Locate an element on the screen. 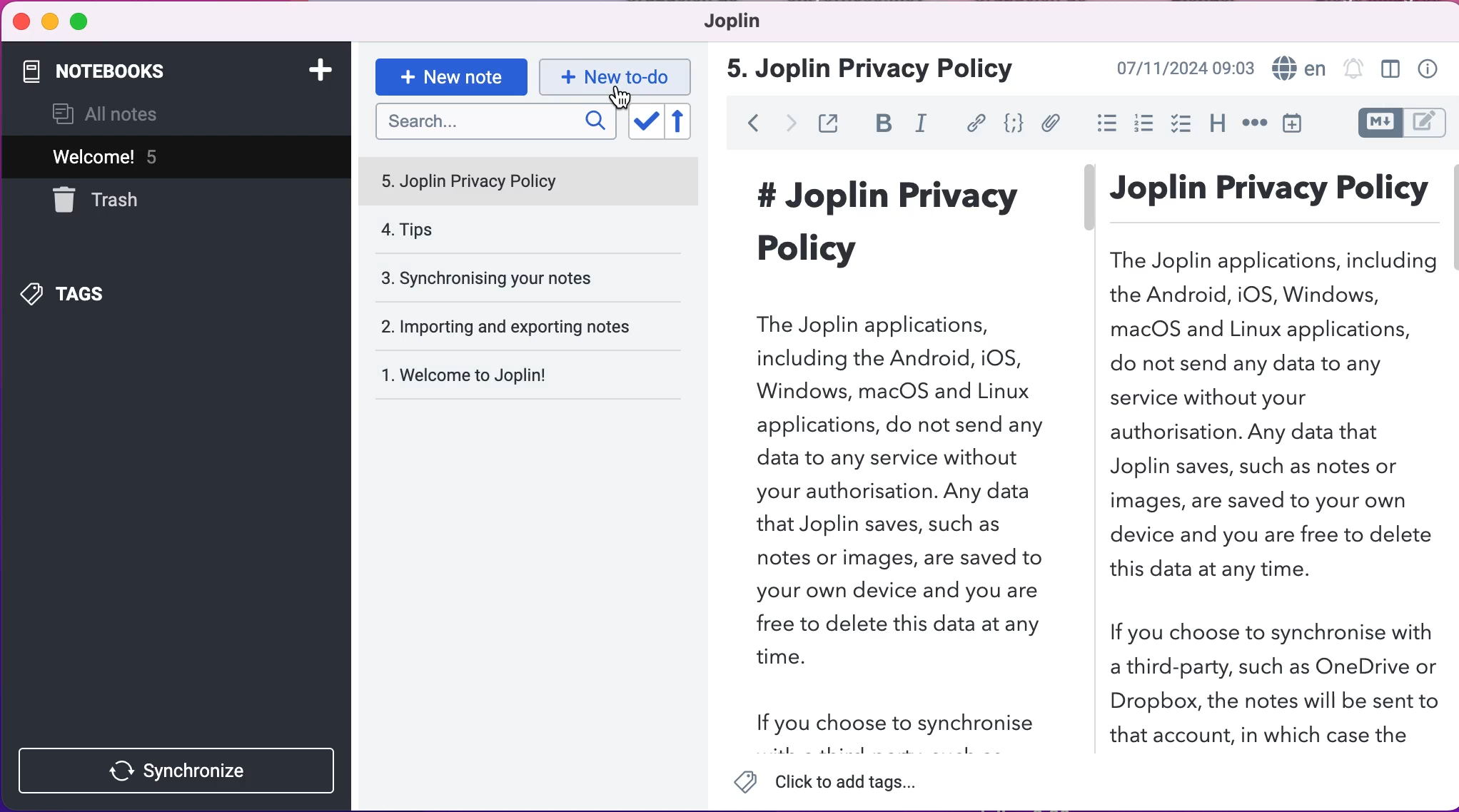 Image resolution: width=1459 pixels, height=812 pixels. new note is located at coordinates (450, 76).